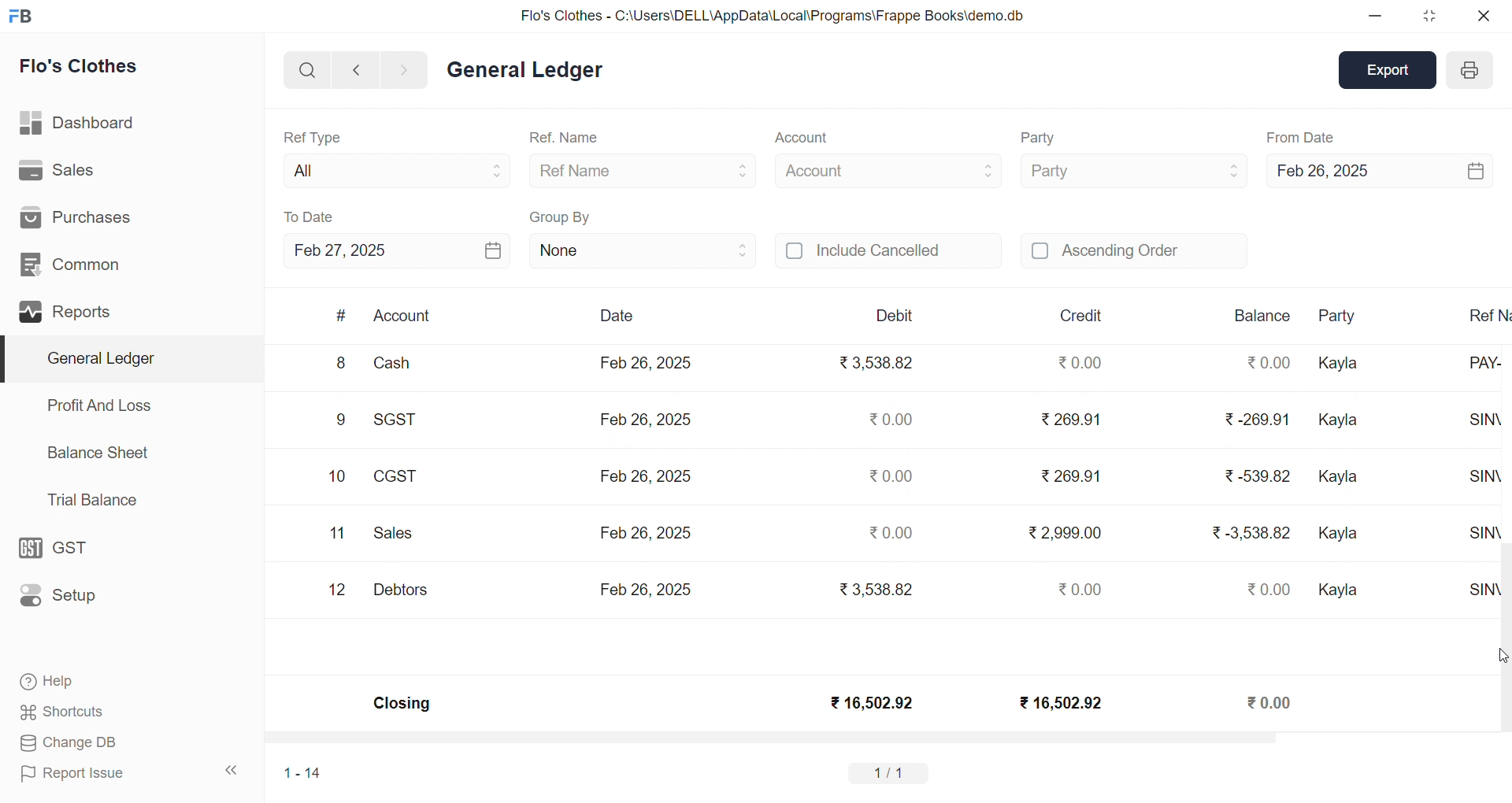 The image size is (1512, 803). I want to click on General Ledger, so click(127, 358).